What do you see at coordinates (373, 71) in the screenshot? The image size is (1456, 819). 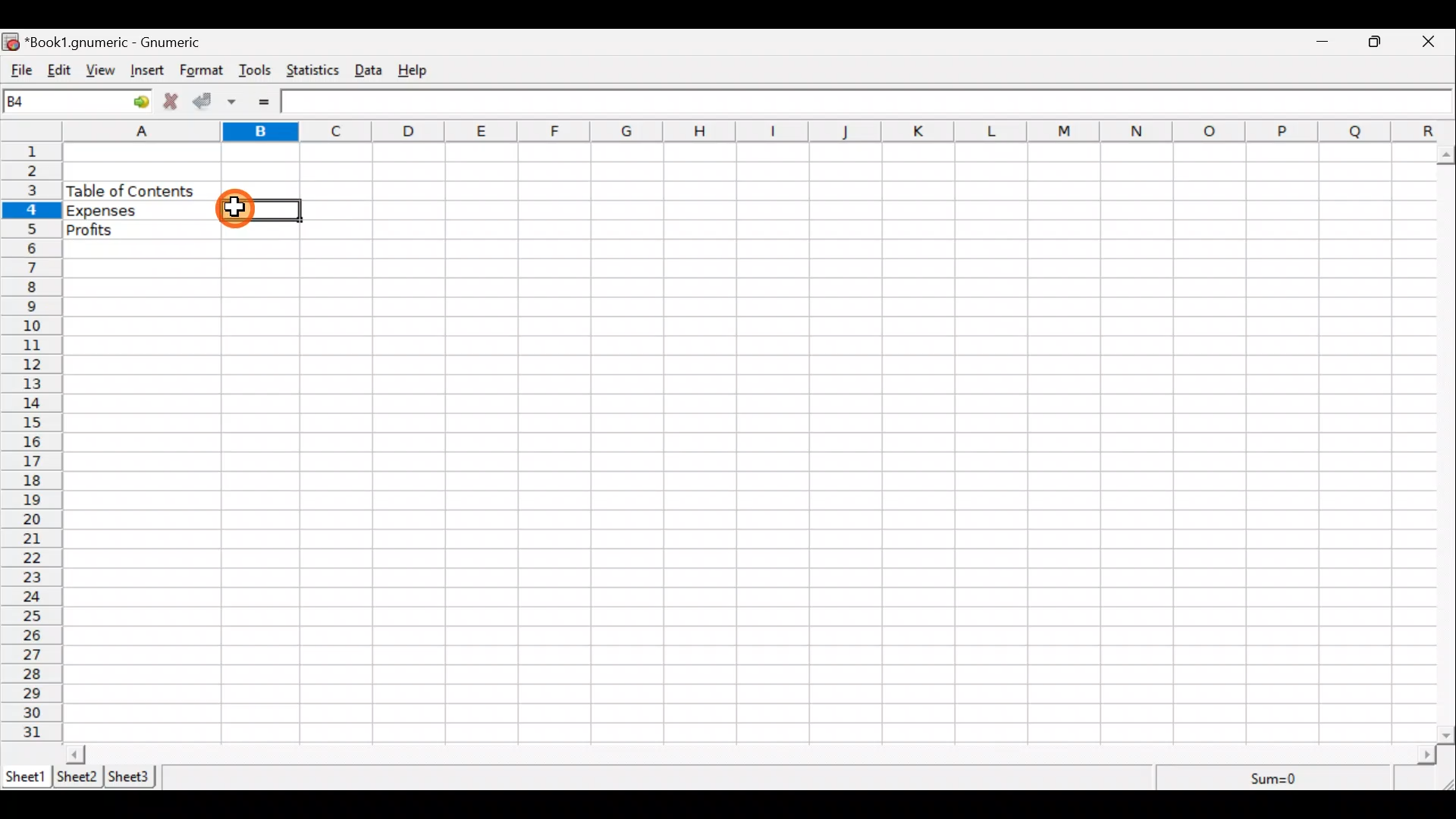 I see `Data` at bounding box center [373, 71].